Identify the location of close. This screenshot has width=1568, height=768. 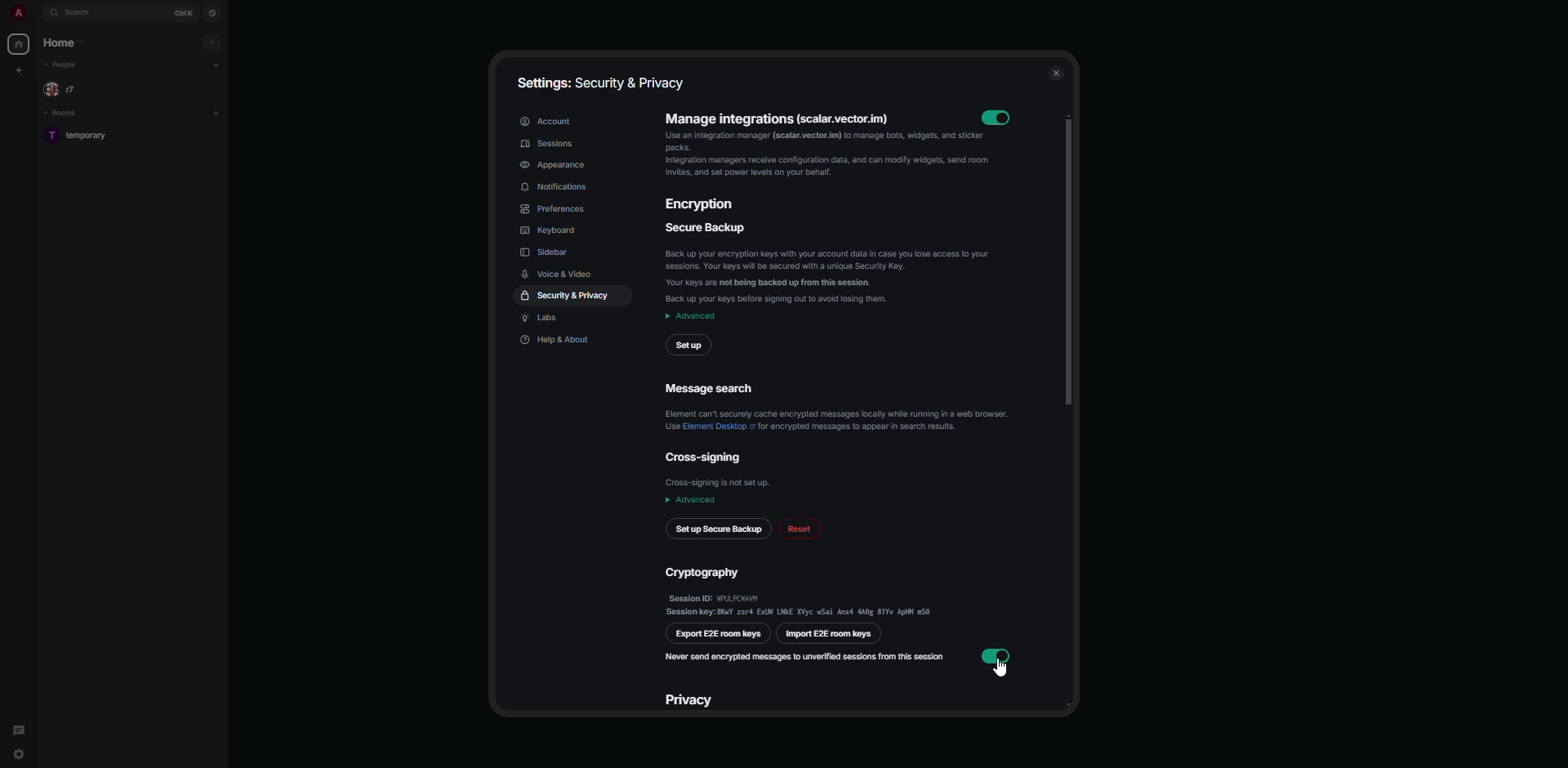
(1056, 73).